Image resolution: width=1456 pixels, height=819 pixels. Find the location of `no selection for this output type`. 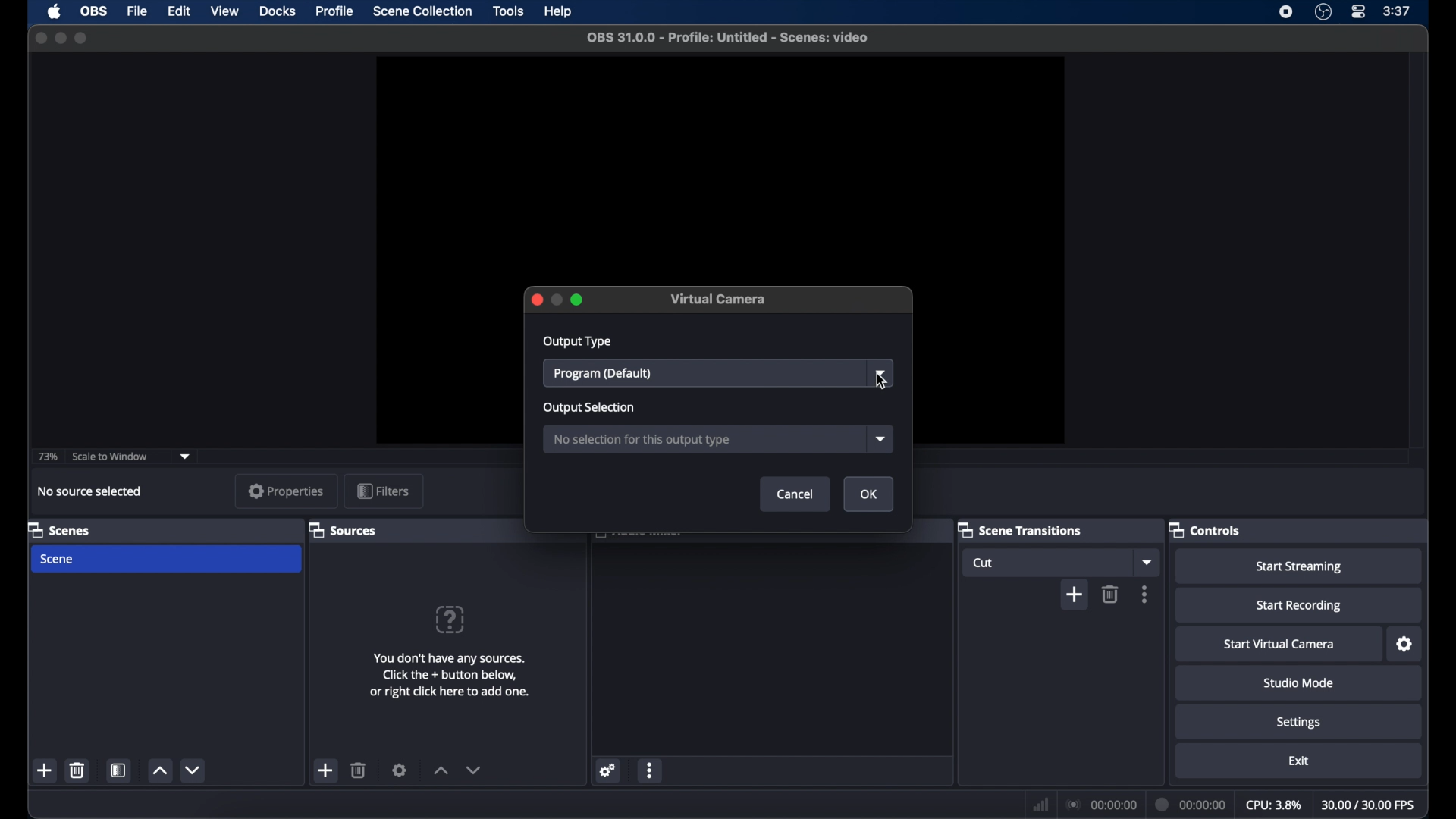

no selection for this output type is located at coordinates (645, 441).